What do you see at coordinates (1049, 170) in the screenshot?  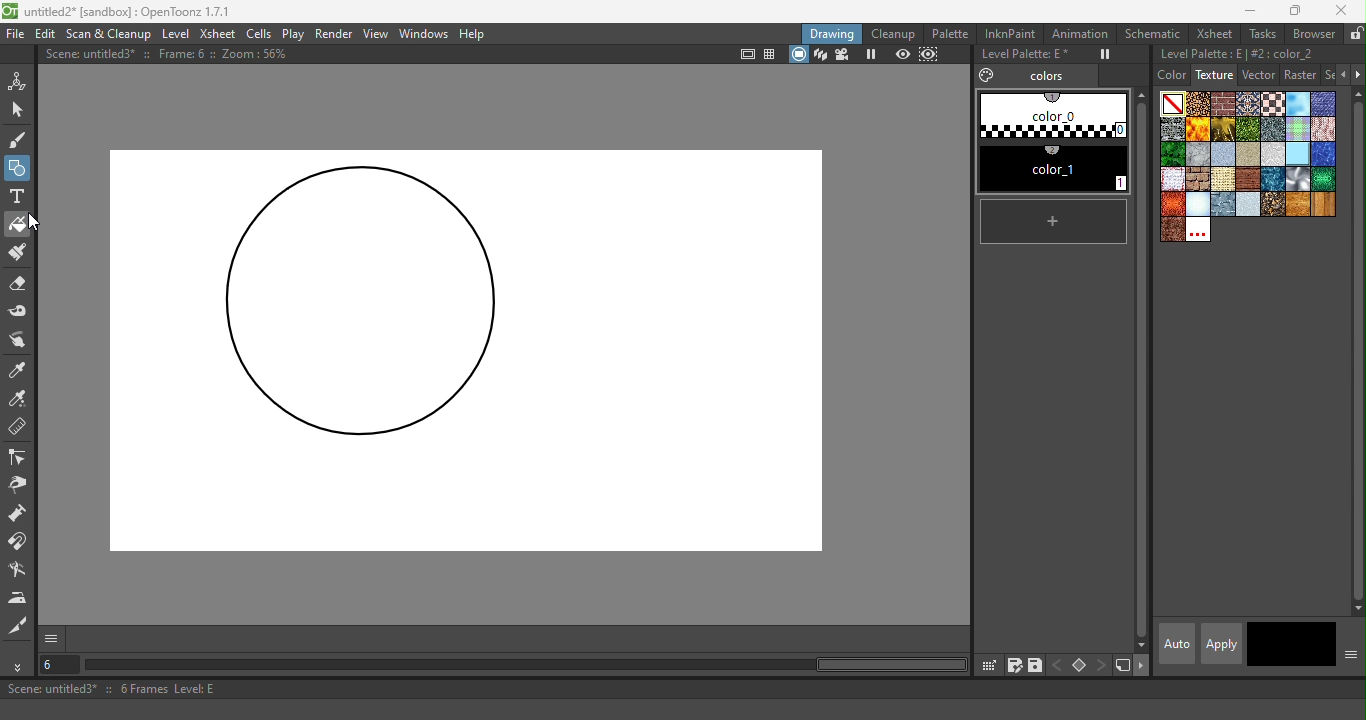 I see `#1 color_1 (2)` at bounding box center [1049, 170].